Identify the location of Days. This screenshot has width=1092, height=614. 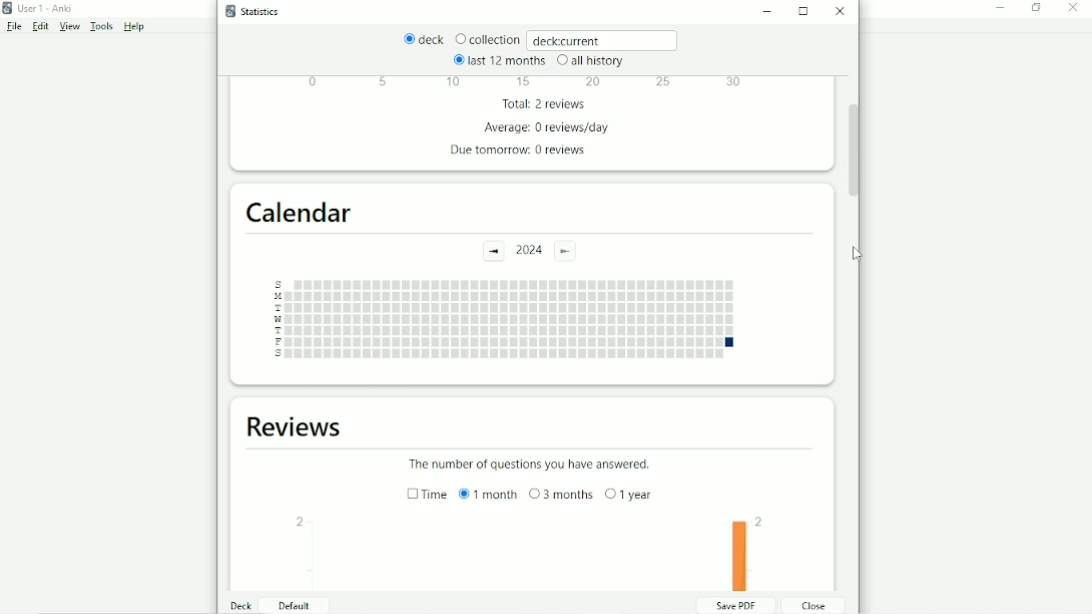
(506, 318).